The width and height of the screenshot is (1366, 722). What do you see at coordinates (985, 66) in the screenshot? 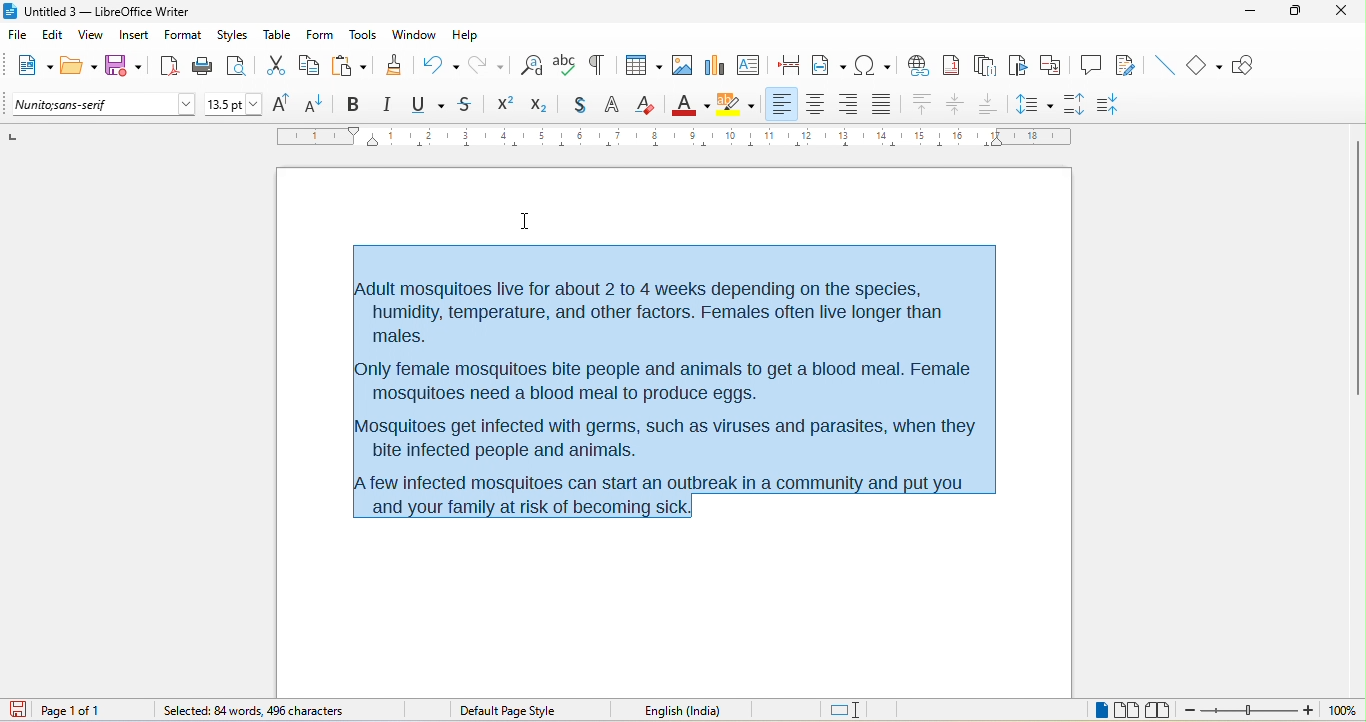
I see `endnote` at bounding box center [985, 66].